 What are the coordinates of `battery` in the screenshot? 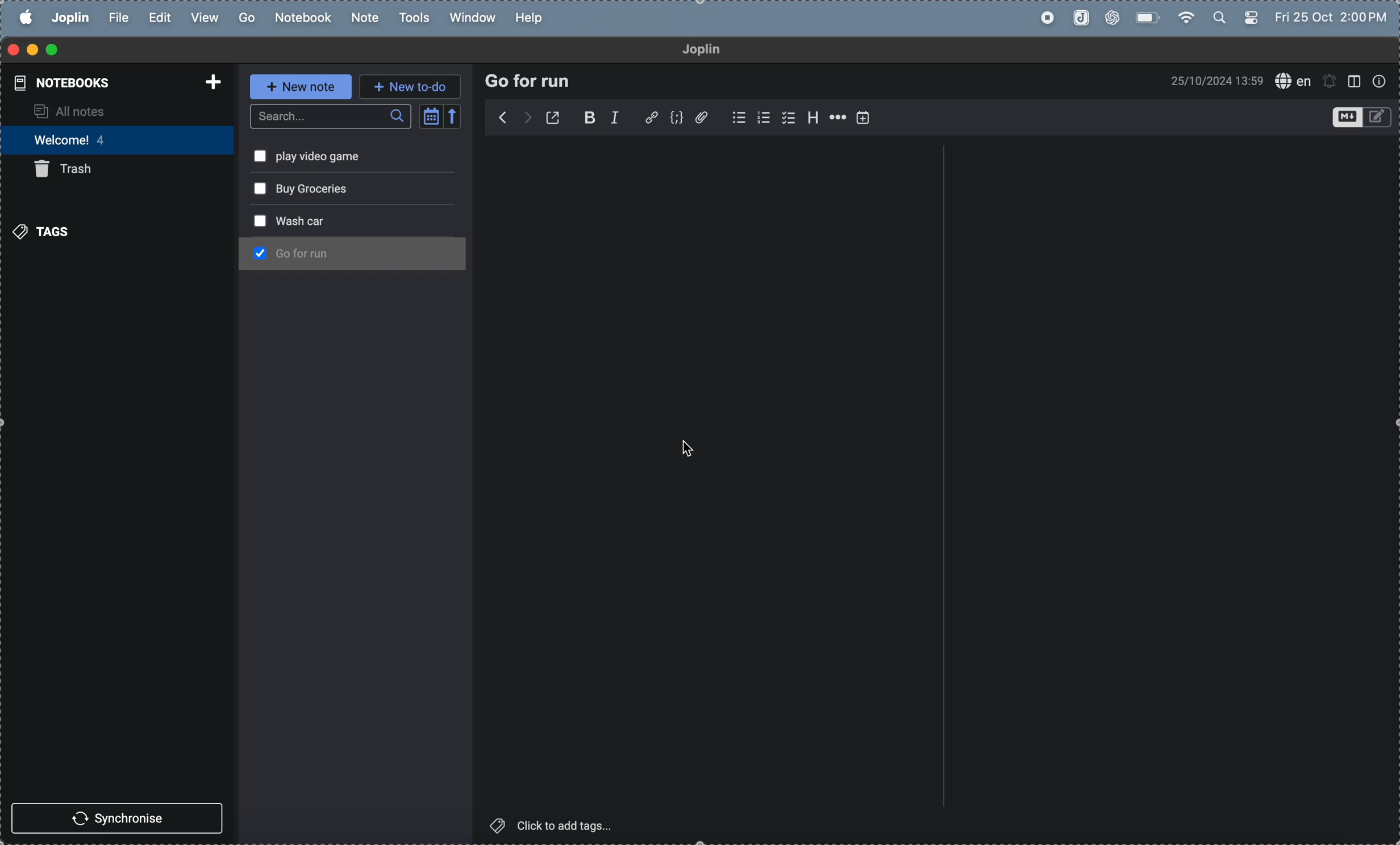 It's located at (1147, 19).